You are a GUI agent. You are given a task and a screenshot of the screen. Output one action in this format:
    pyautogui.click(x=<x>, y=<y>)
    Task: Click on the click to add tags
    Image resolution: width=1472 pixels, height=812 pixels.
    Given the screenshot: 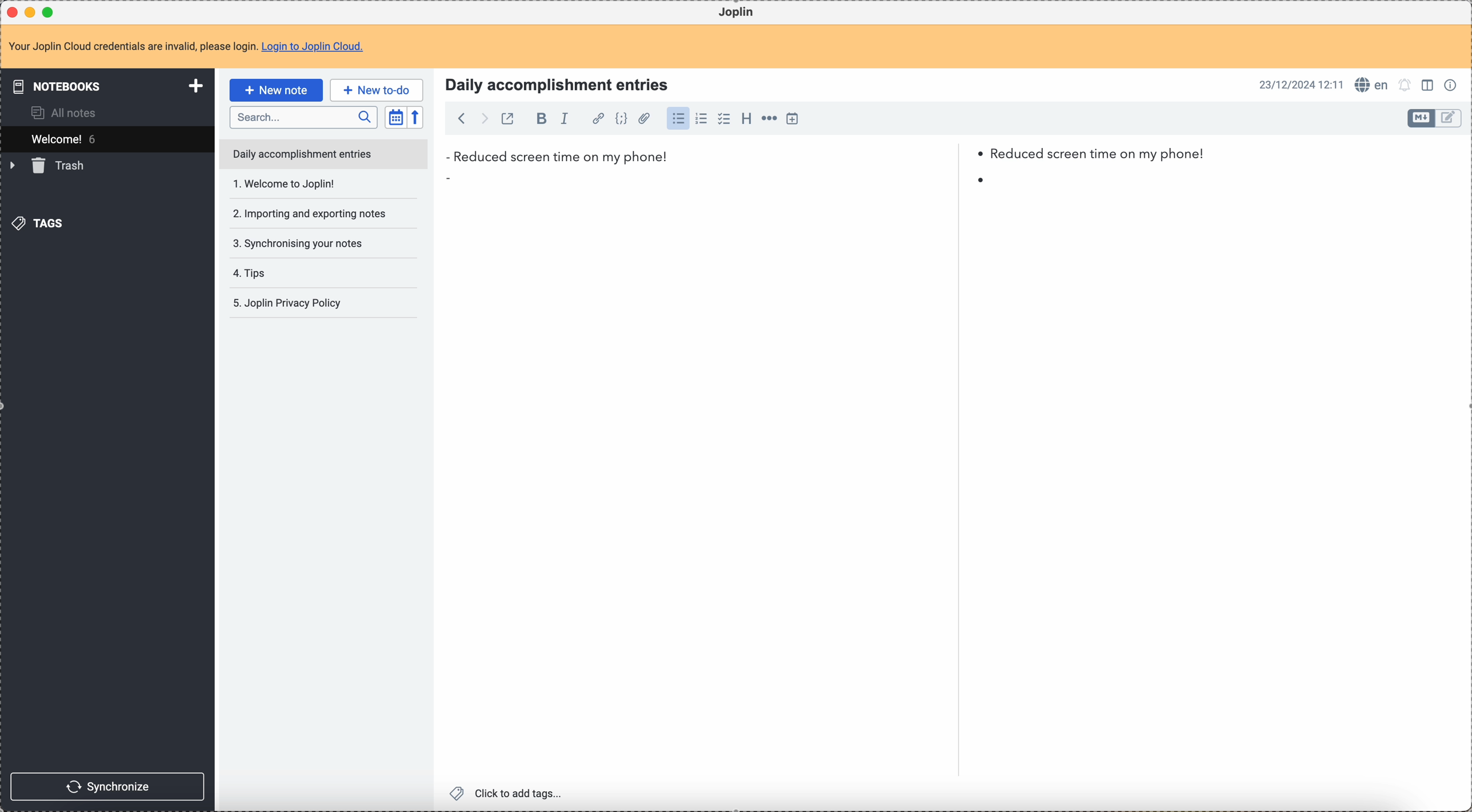 What is the action you would take?
    pyautogui.click(x=508, y=794)
    